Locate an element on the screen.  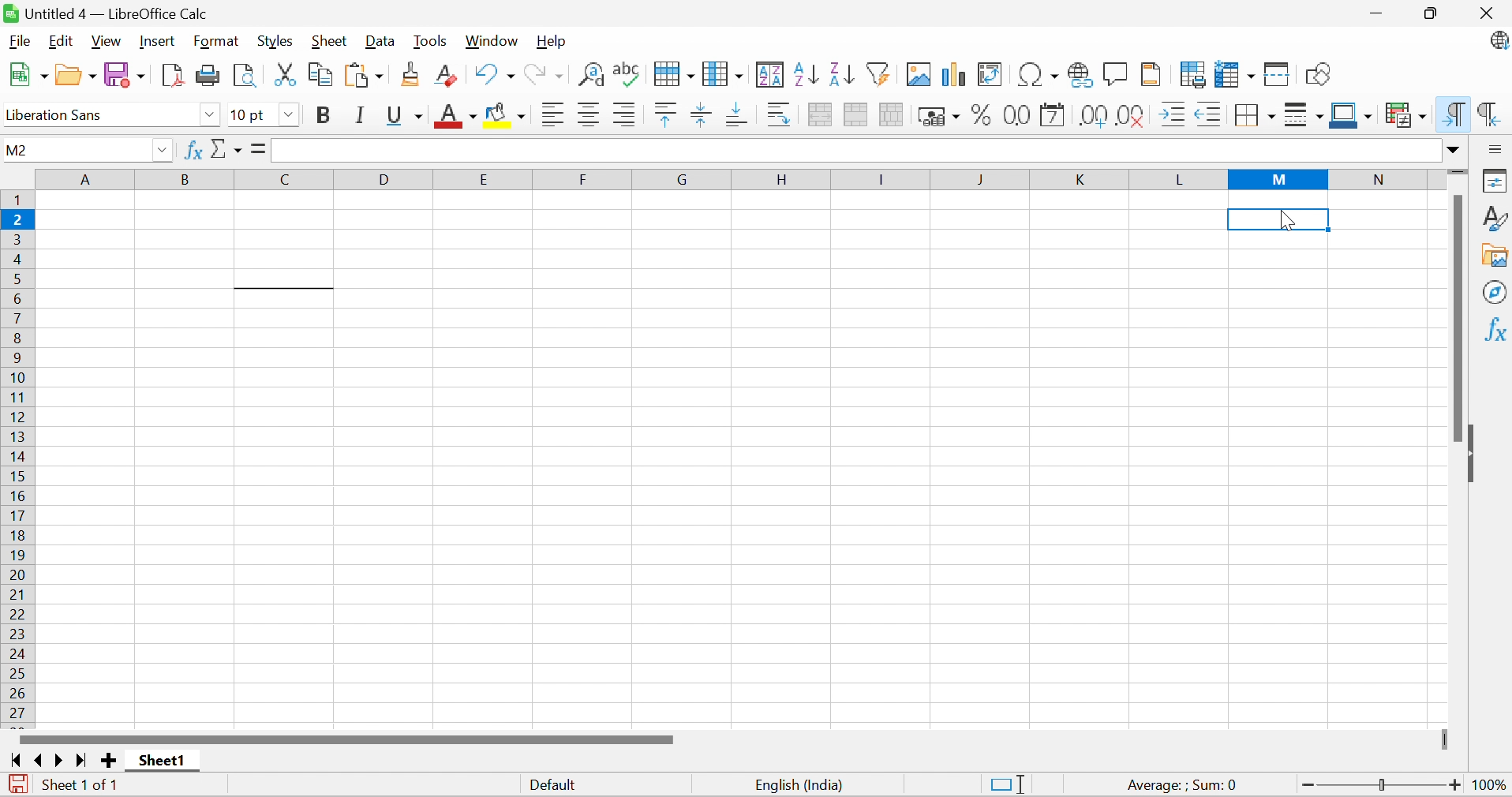
Split window is located at coordinates (1278, 76).